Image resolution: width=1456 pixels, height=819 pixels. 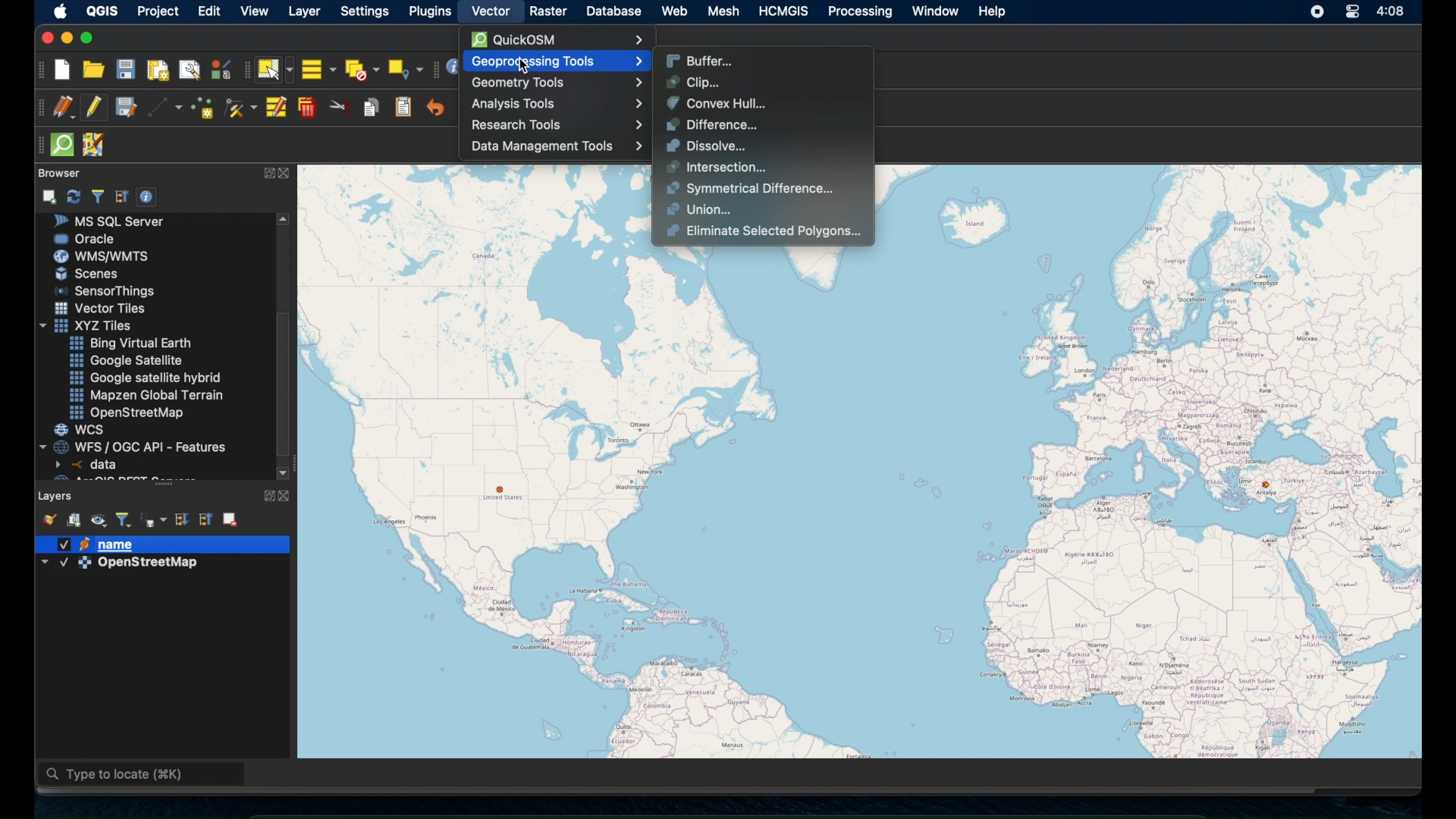 What do you see at coordinates (99, 521) in the screenshot?
I see `manage map. themes` at bounding box center [99, 521].